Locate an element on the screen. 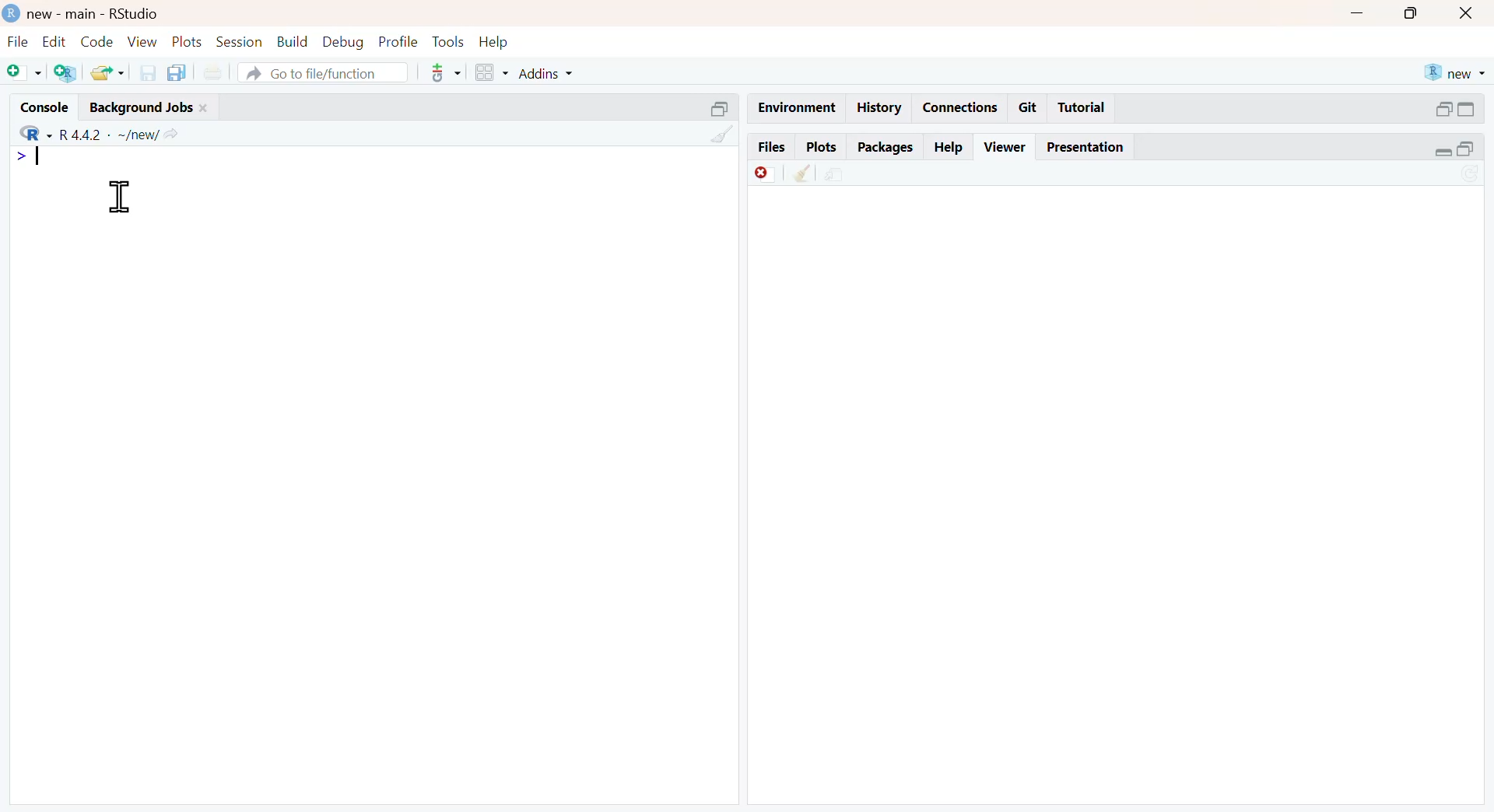 The image size is (1494, 812). code is located at coordinates (97, 41).